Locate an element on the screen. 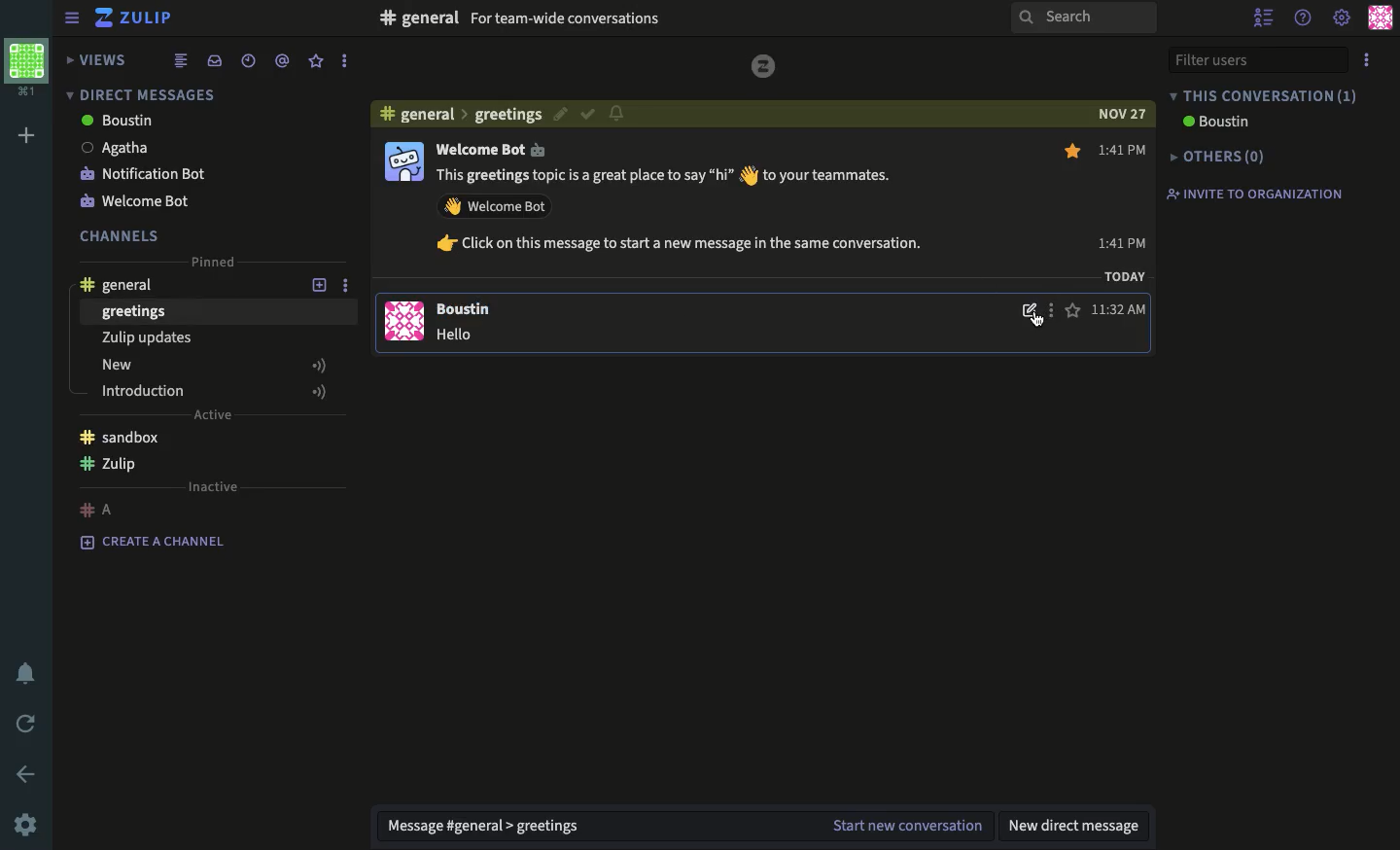  a is located at coordinates (98, 509).